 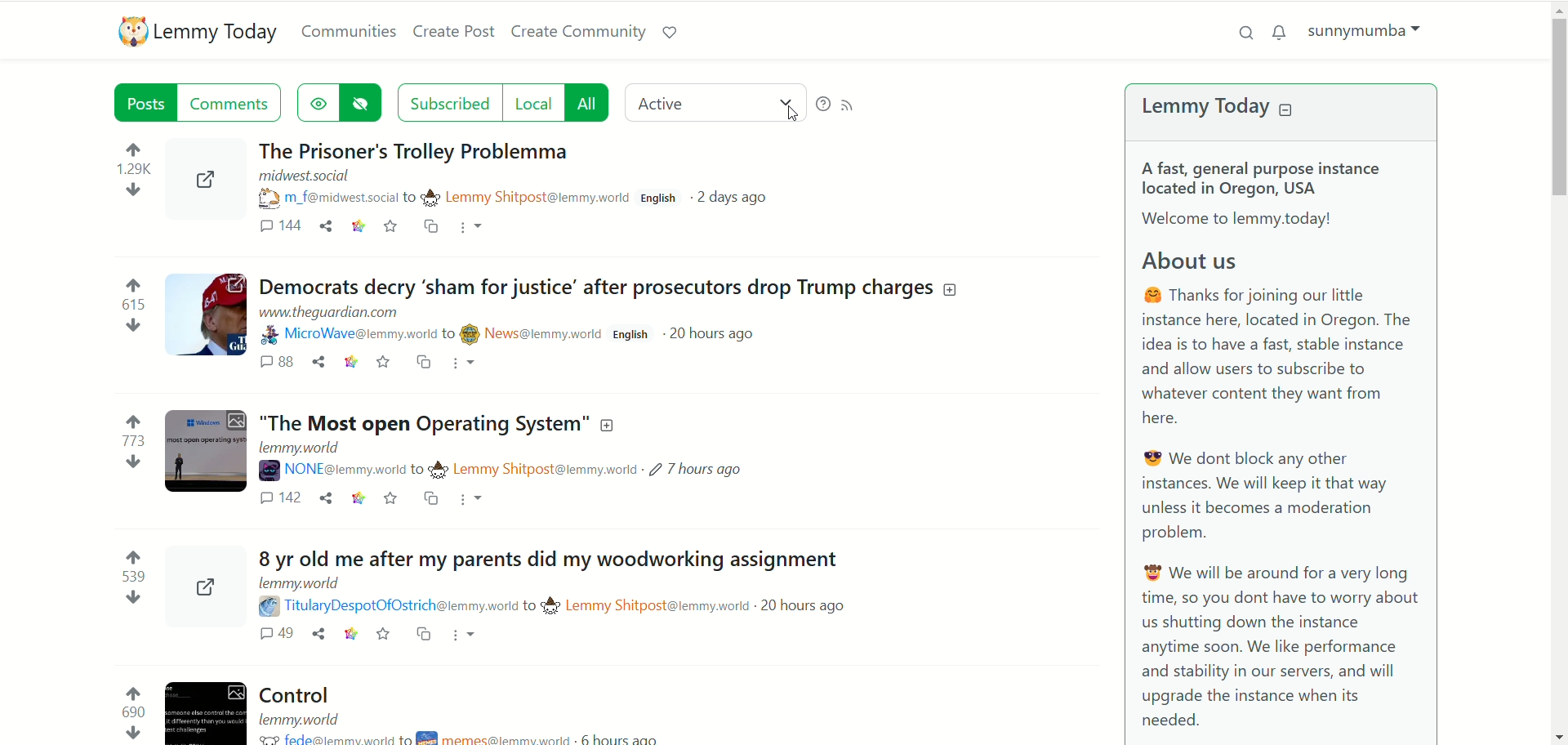 I want to click on comments, so click(x=279, y=500).